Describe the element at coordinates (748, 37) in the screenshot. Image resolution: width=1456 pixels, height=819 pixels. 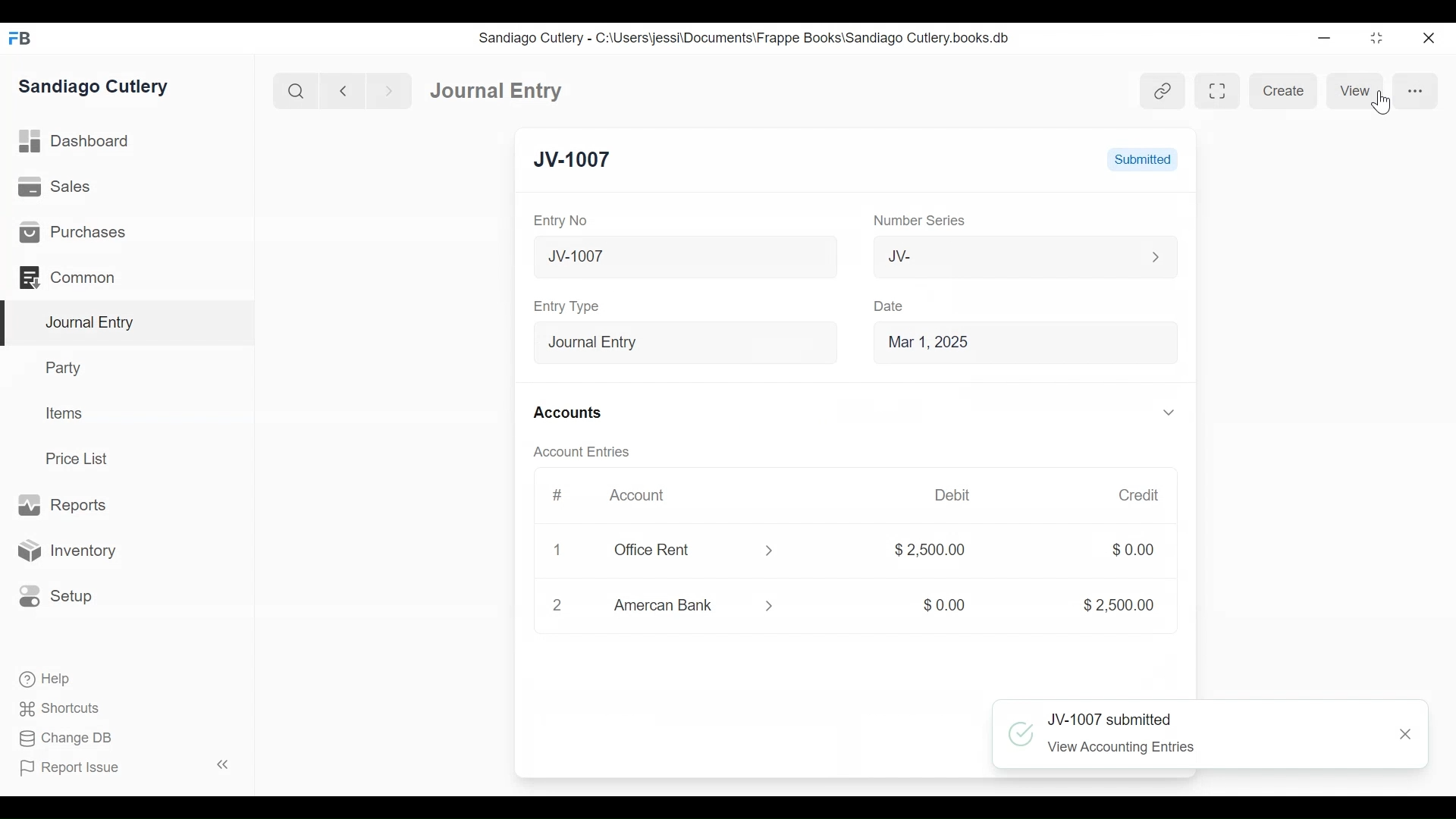
I see `Sandiago Cutlery - C:\Users\jessi\Documents\Frappe Books\Sandiago Cutlery.books.db` at that location.